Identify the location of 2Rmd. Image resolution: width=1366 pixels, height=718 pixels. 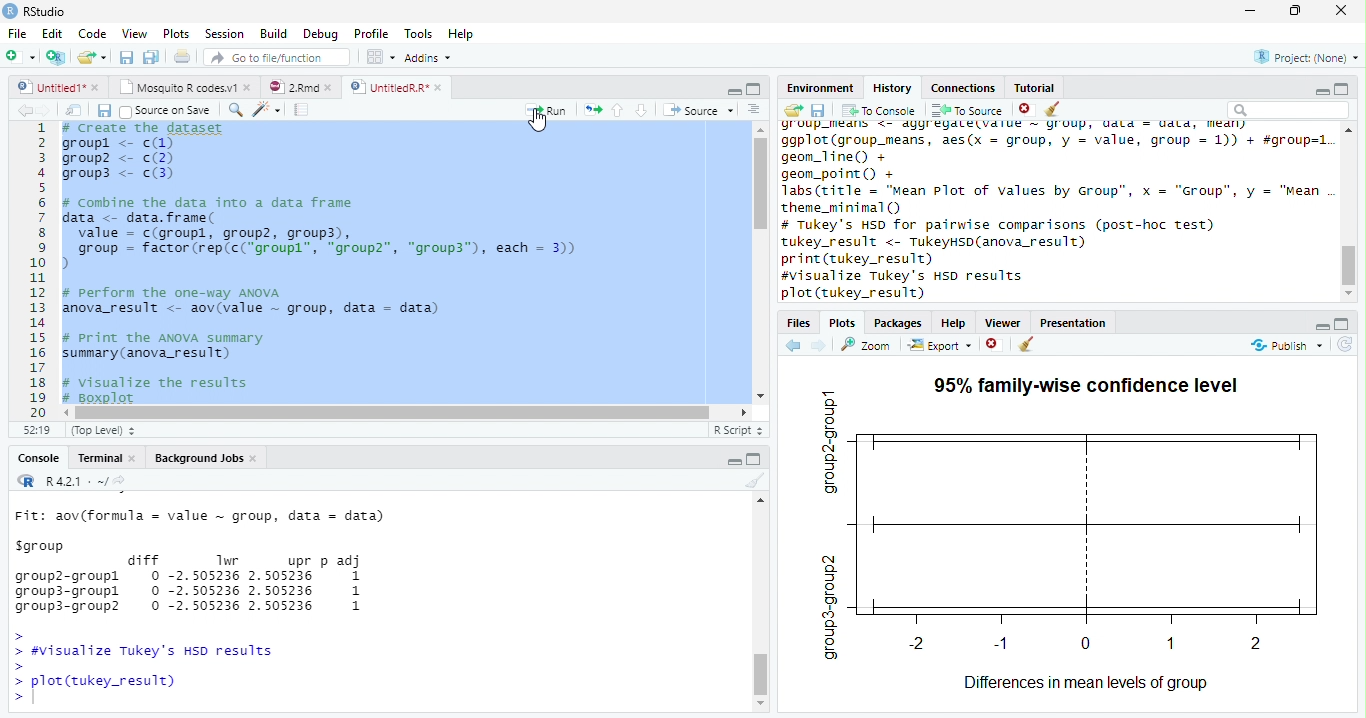
(299, 85).